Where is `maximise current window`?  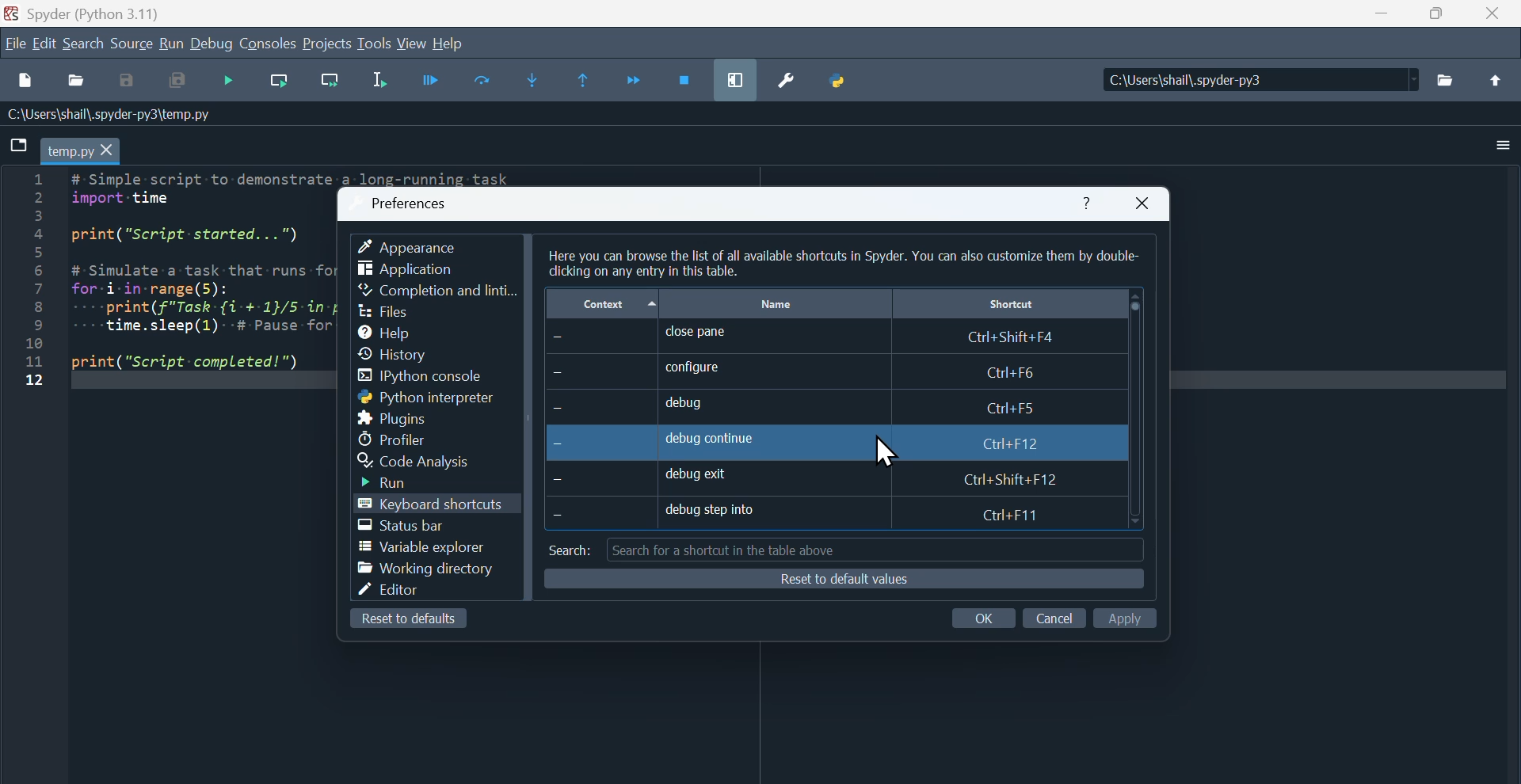 maximise current window is located at coordinates (734, 77).